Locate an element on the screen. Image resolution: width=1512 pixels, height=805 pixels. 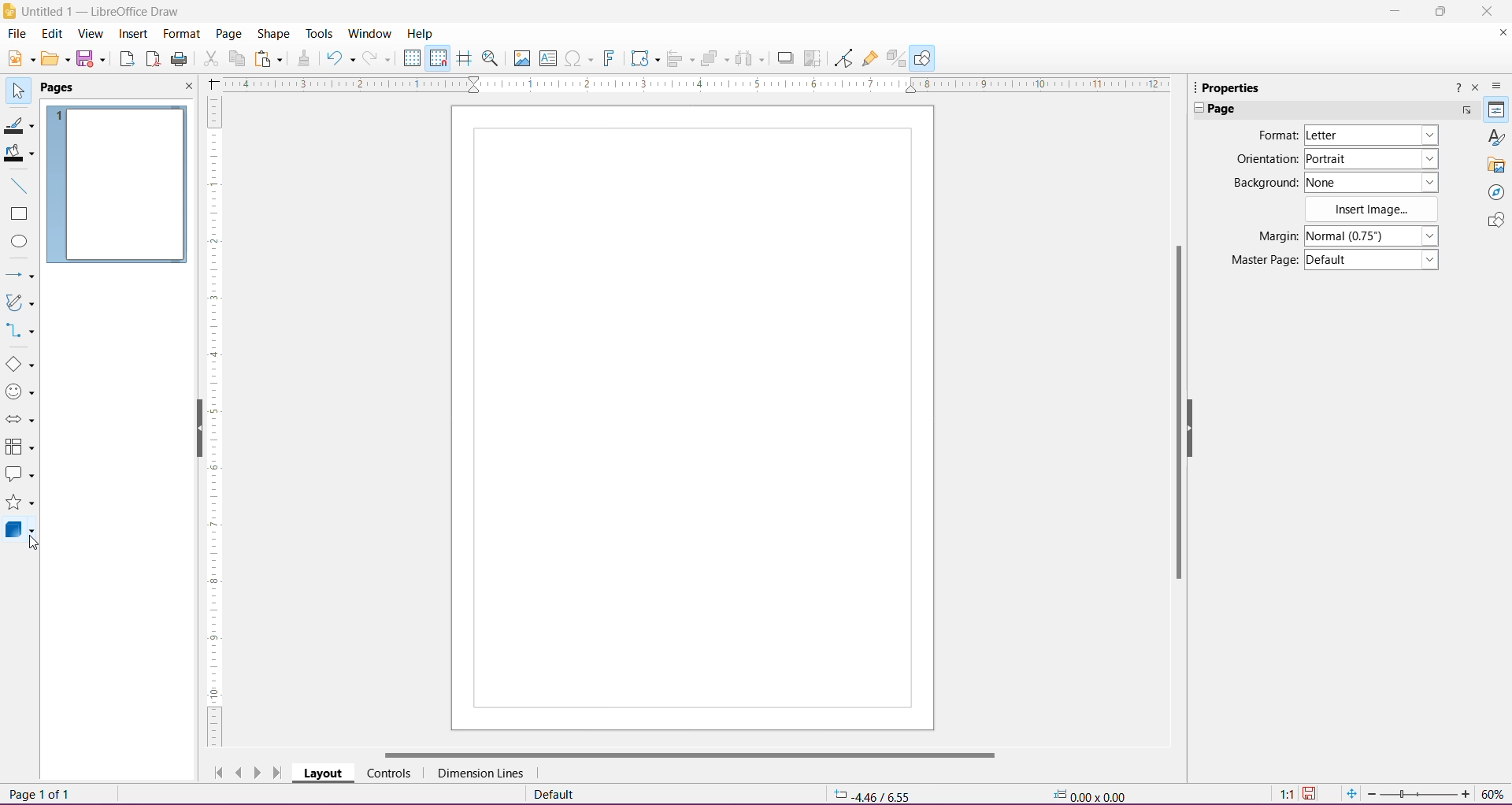
Paste is located at coordinates (270, 60).